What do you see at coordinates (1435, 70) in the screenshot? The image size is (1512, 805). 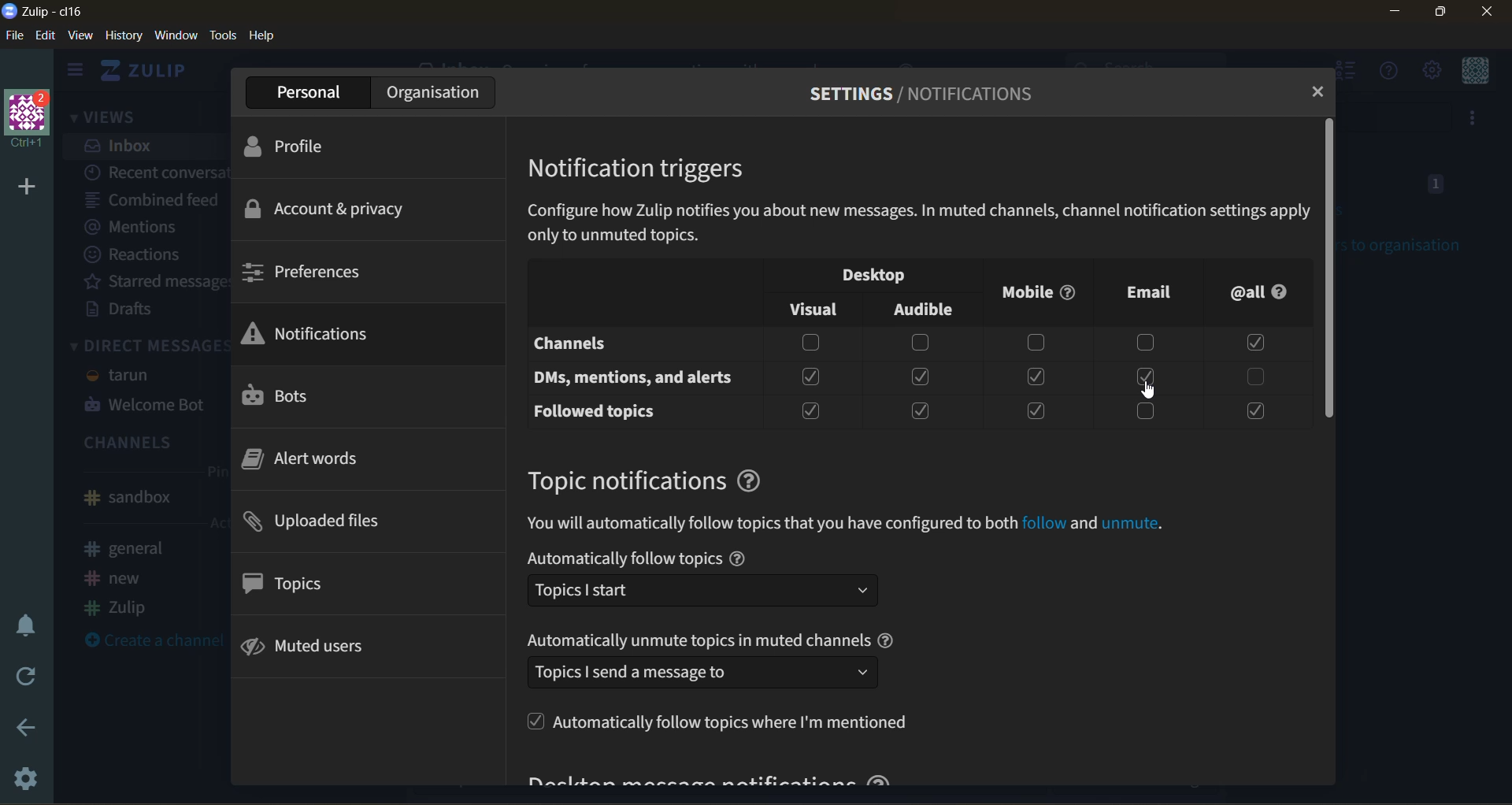 I see `main menu` at bounding box center [1435, 70].